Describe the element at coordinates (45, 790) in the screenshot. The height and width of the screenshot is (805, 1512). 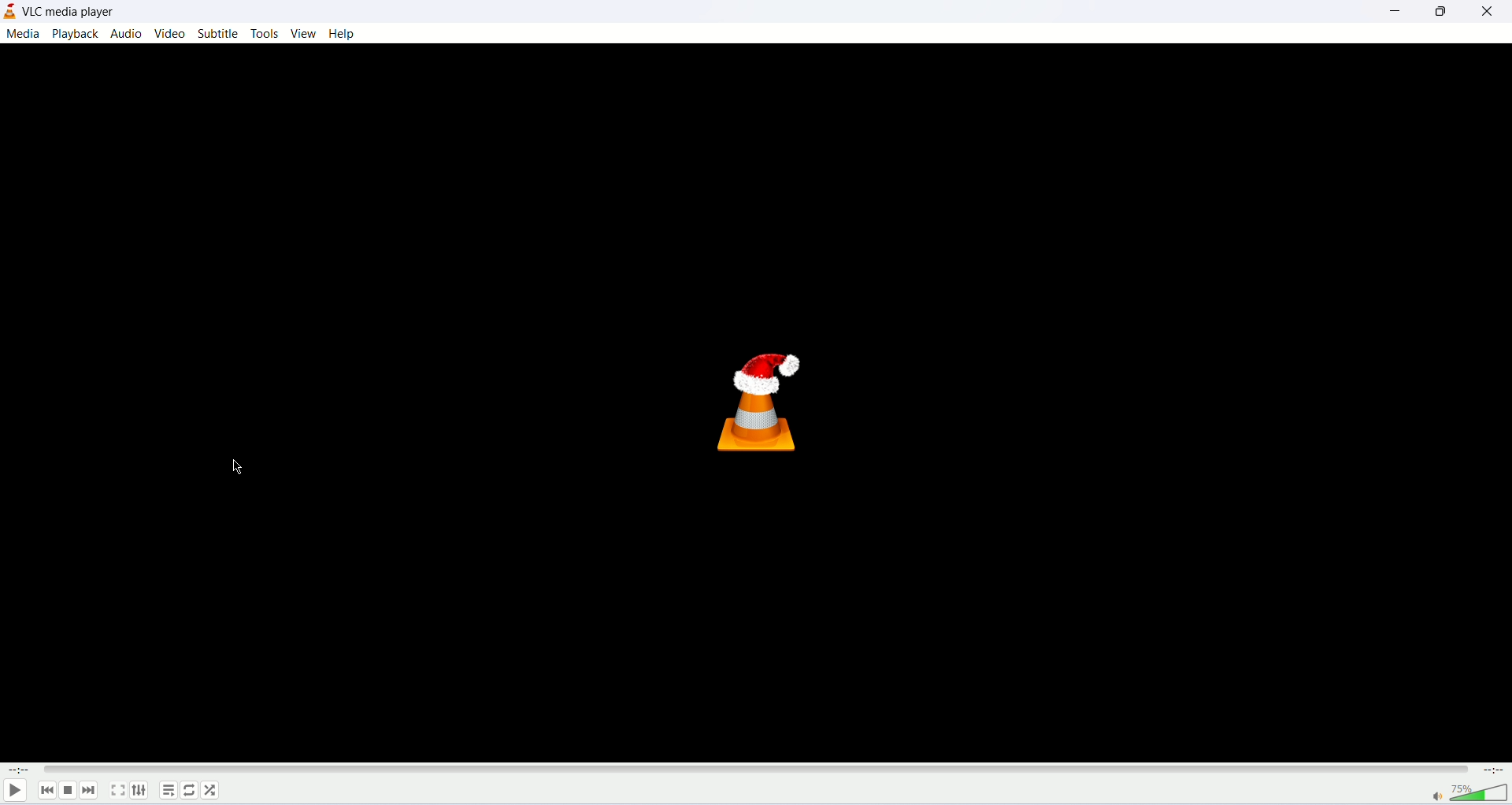
I see `previous track` at that location.